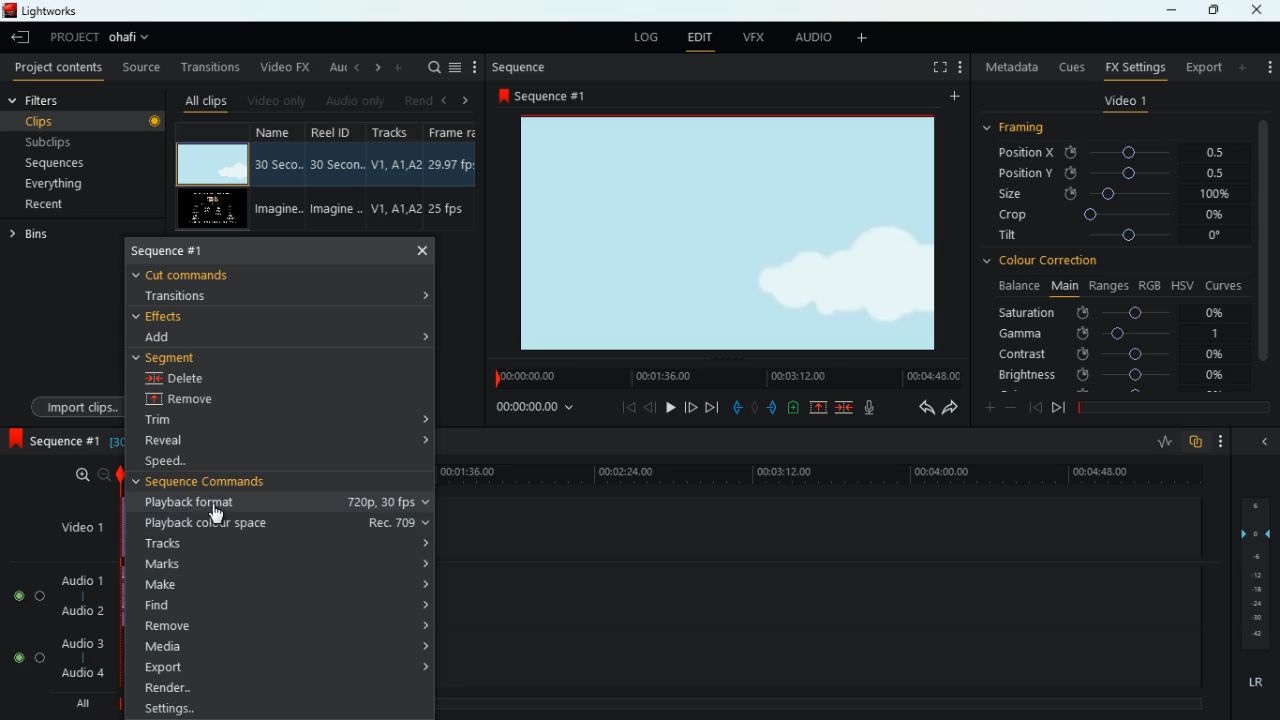 This screenshot has width=1280, height=720. Describe the element at coordinates (460, 101) in the screenshot. I see `right` at that location.